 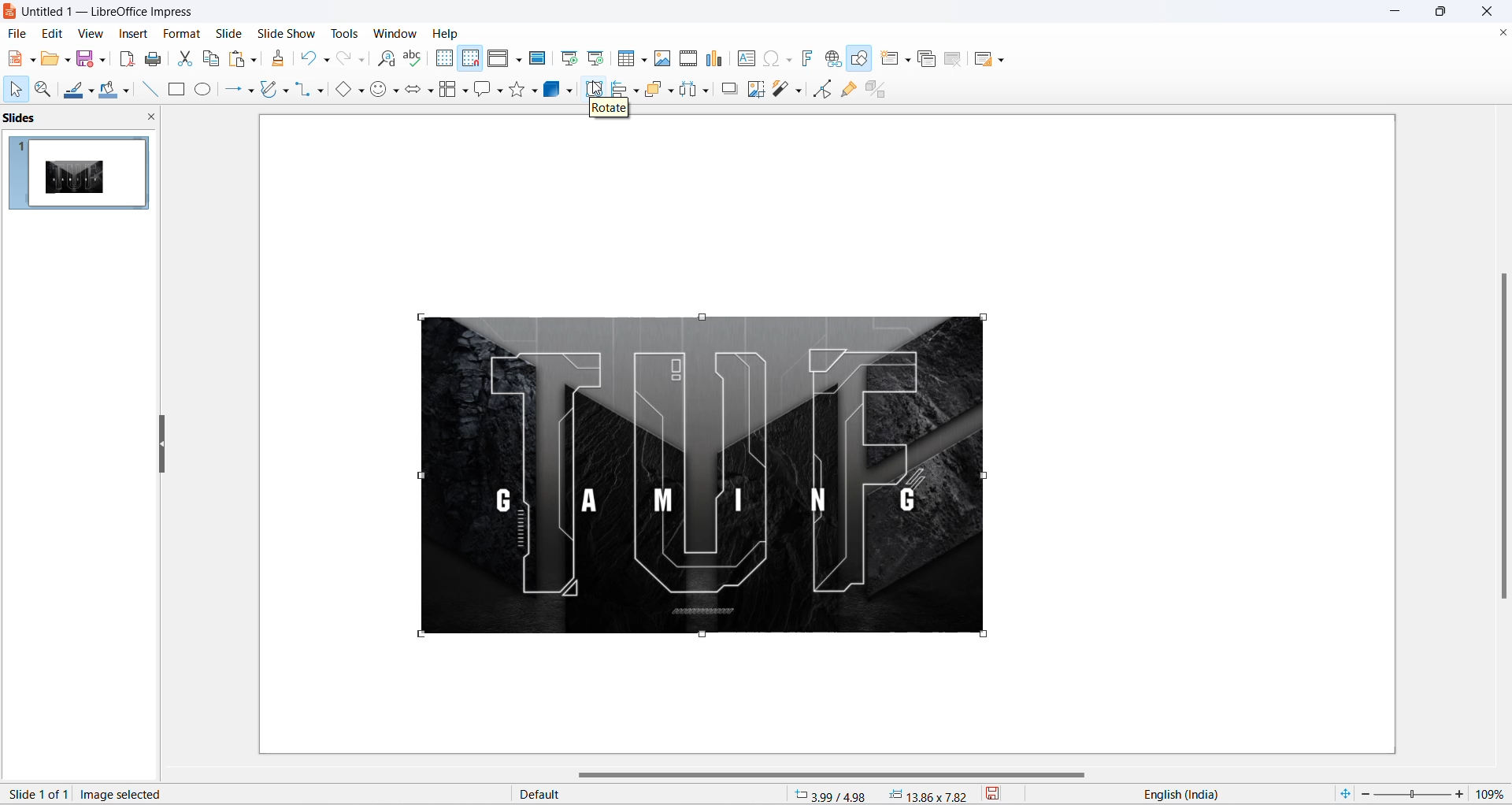 What do you see at coordinates (658, 88) in the screenshot?
I see `arrange` at bounding box center [658, 88].